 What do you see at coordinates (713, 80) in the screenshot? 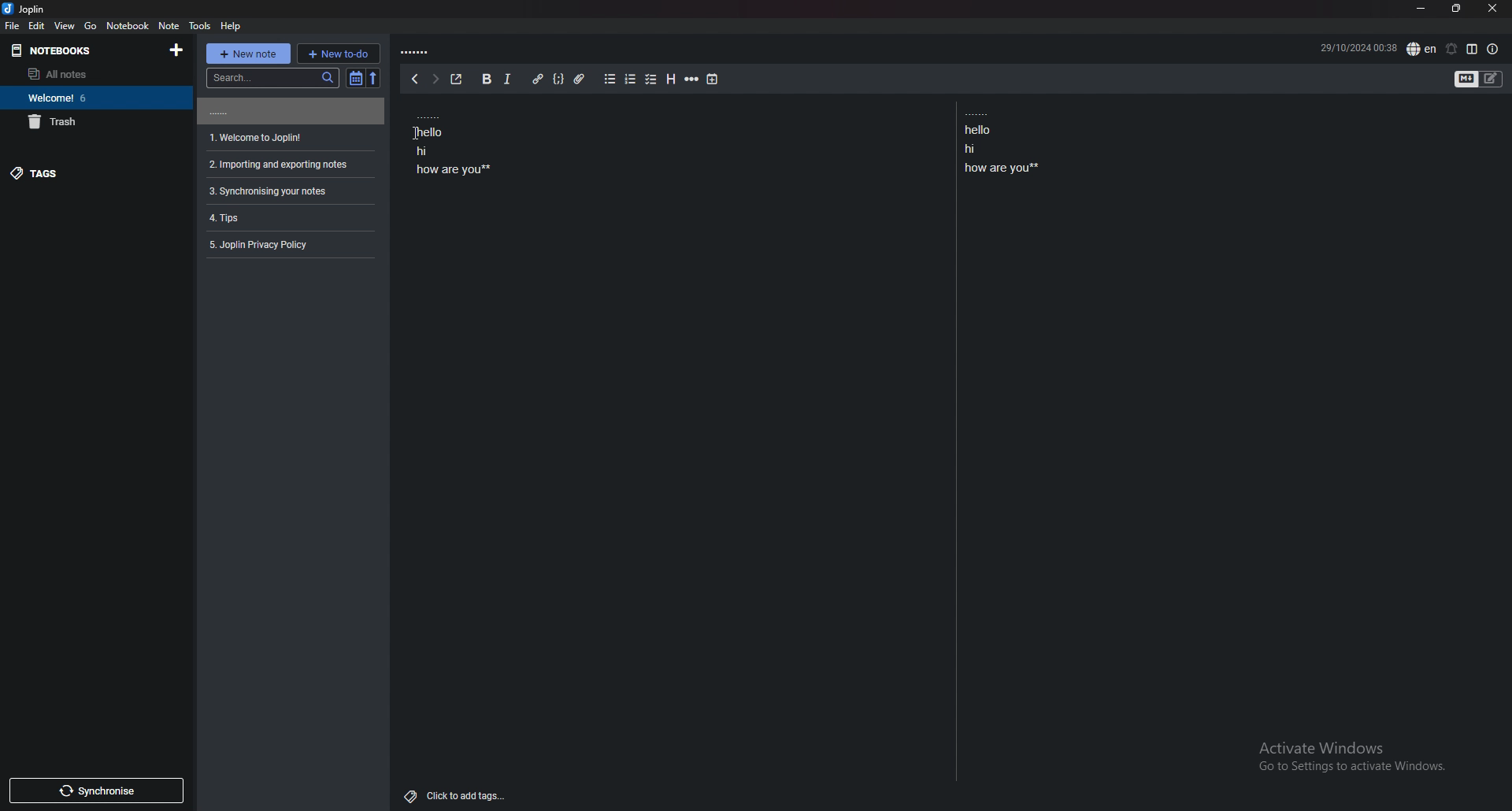
I see `add time` at bounding box center [713, 80].